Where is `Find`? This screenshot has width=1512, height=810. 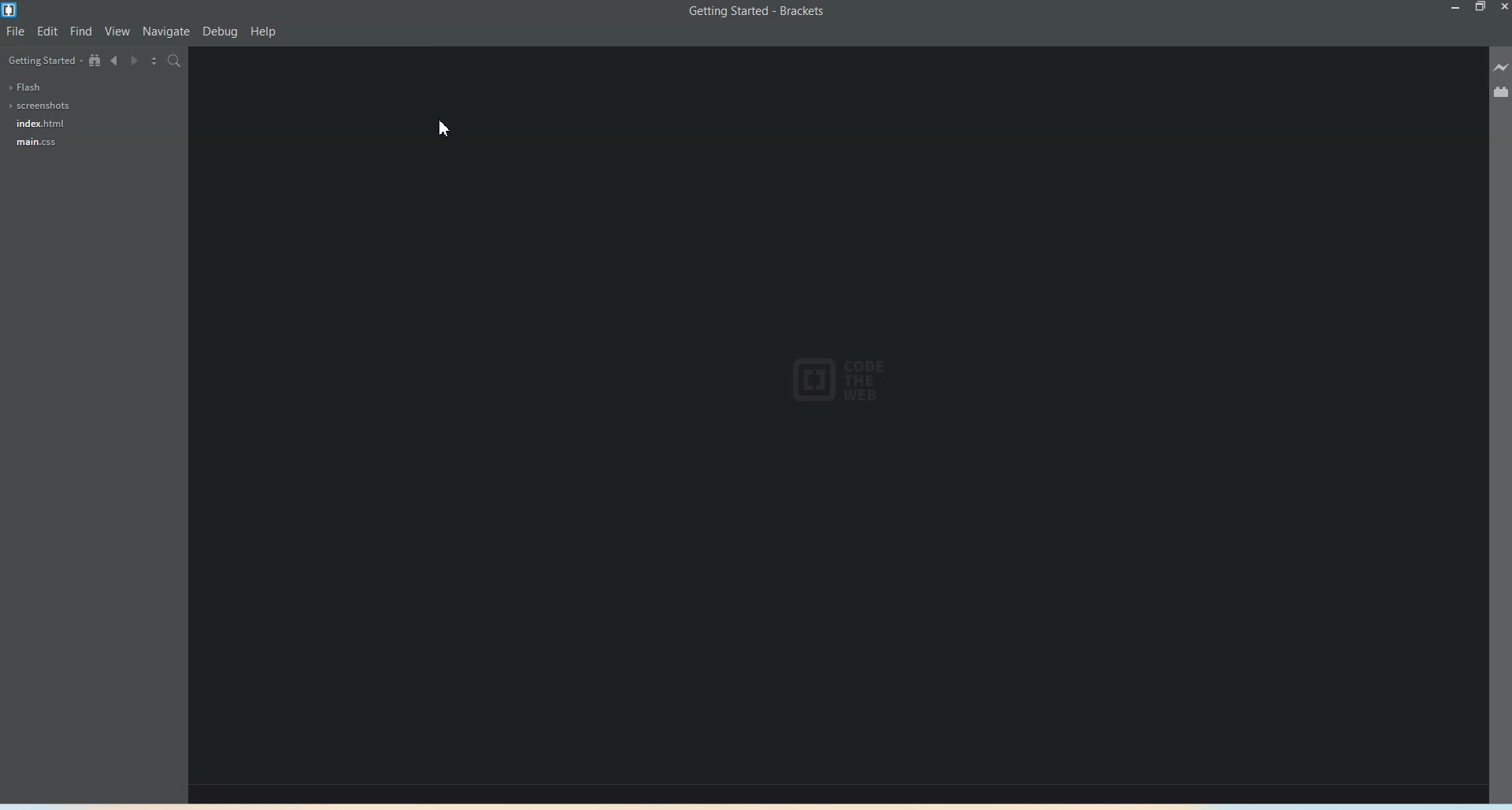
Find is located at coordinates (82, 31).